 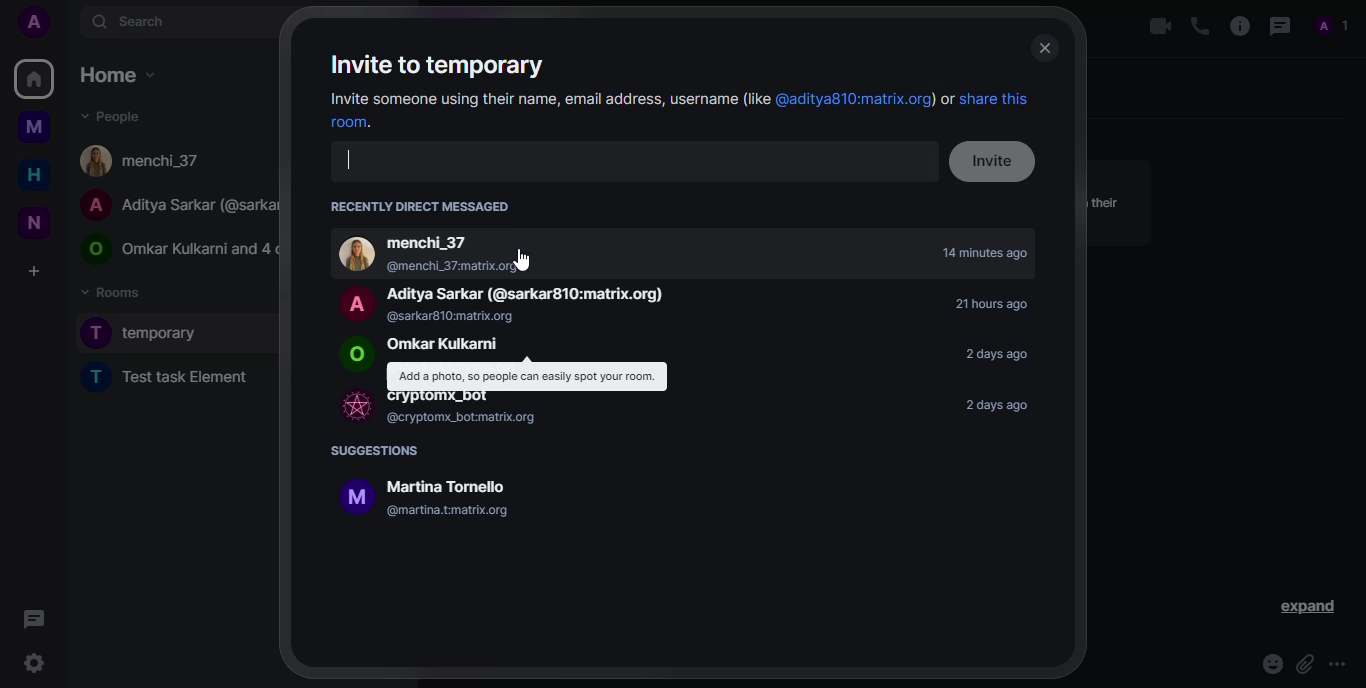 What do you see at coordinates (431, 244) in the screenshot?
I see `‘menchi_37` at bounding box center [431, 244].